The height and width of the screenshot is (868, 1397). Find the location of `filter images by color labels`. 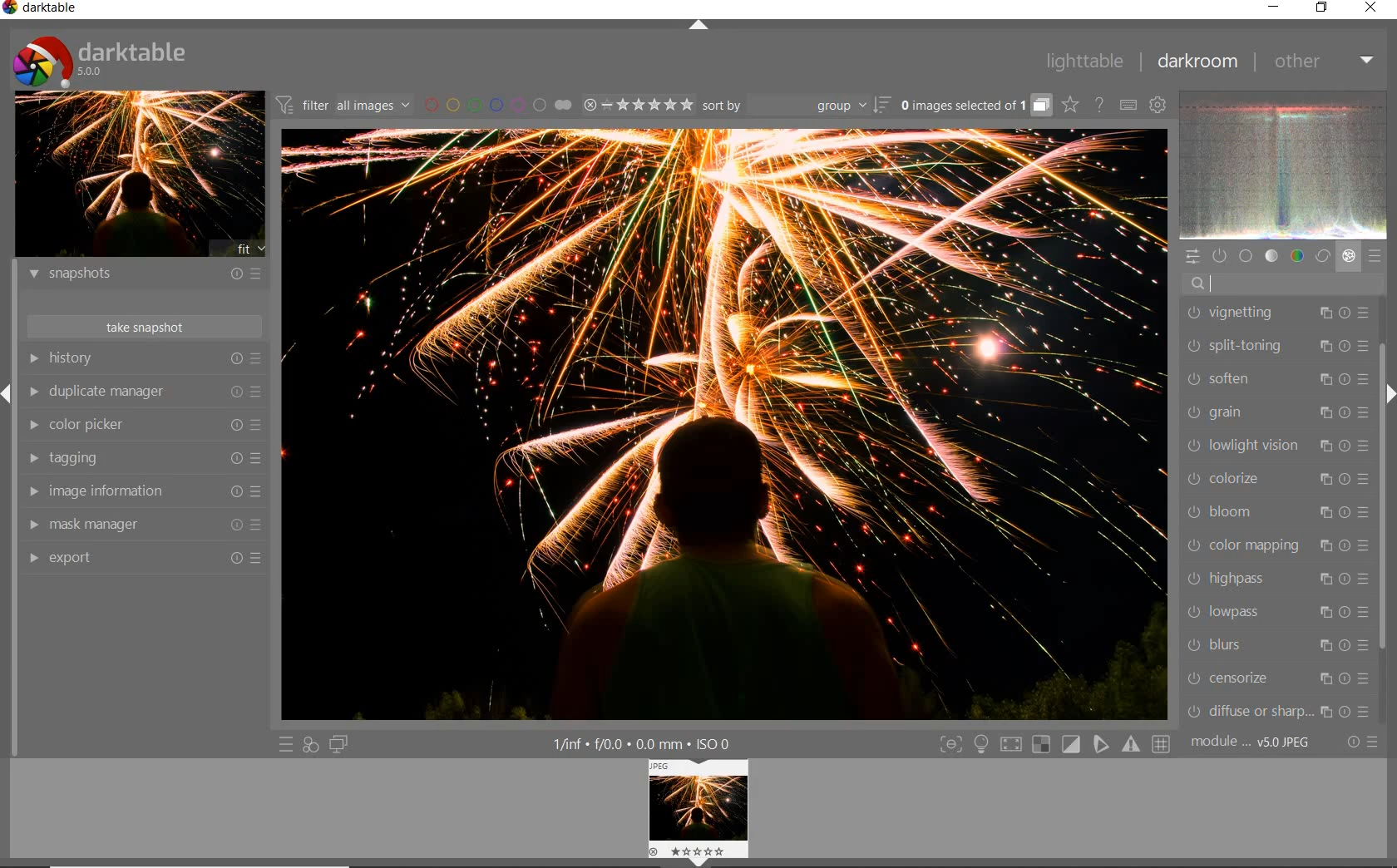

filter images by color labels is located at coordinates (496, 105).